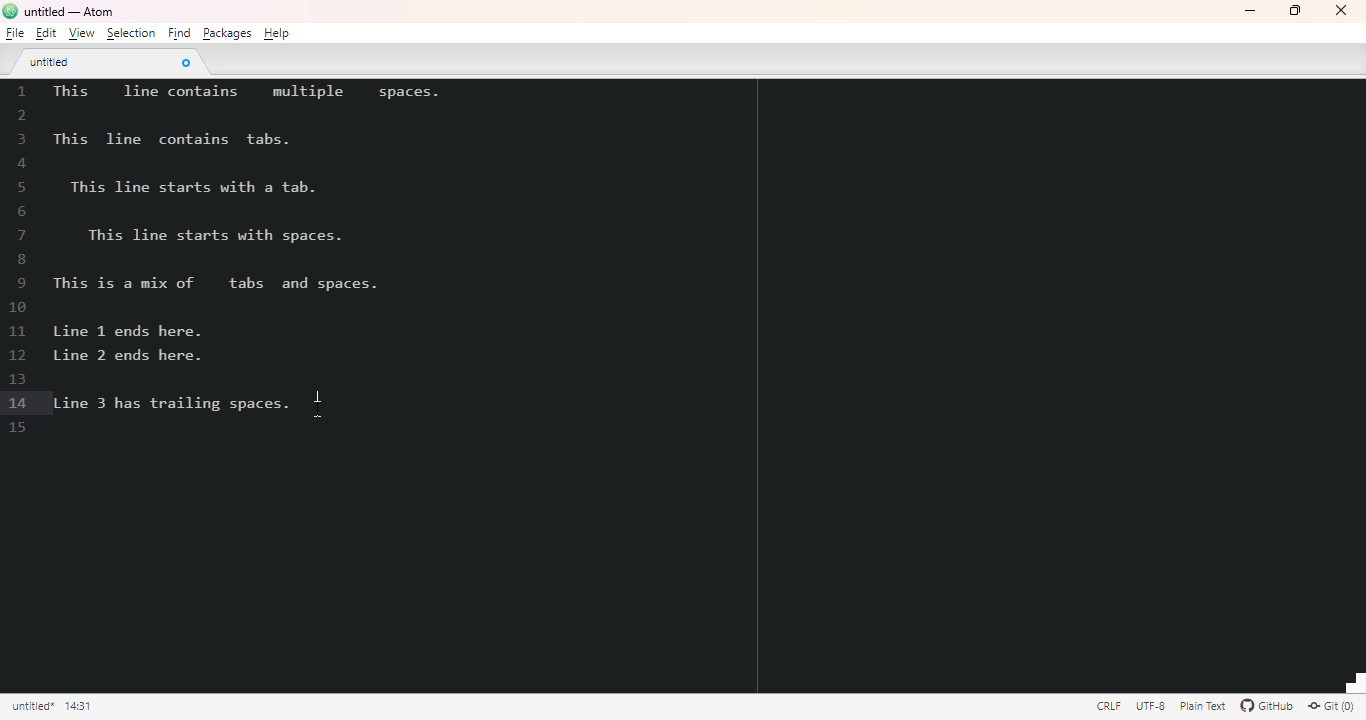  Describe the element at coordinates (45, 33) in the screenshot. I see `edit` at that location.